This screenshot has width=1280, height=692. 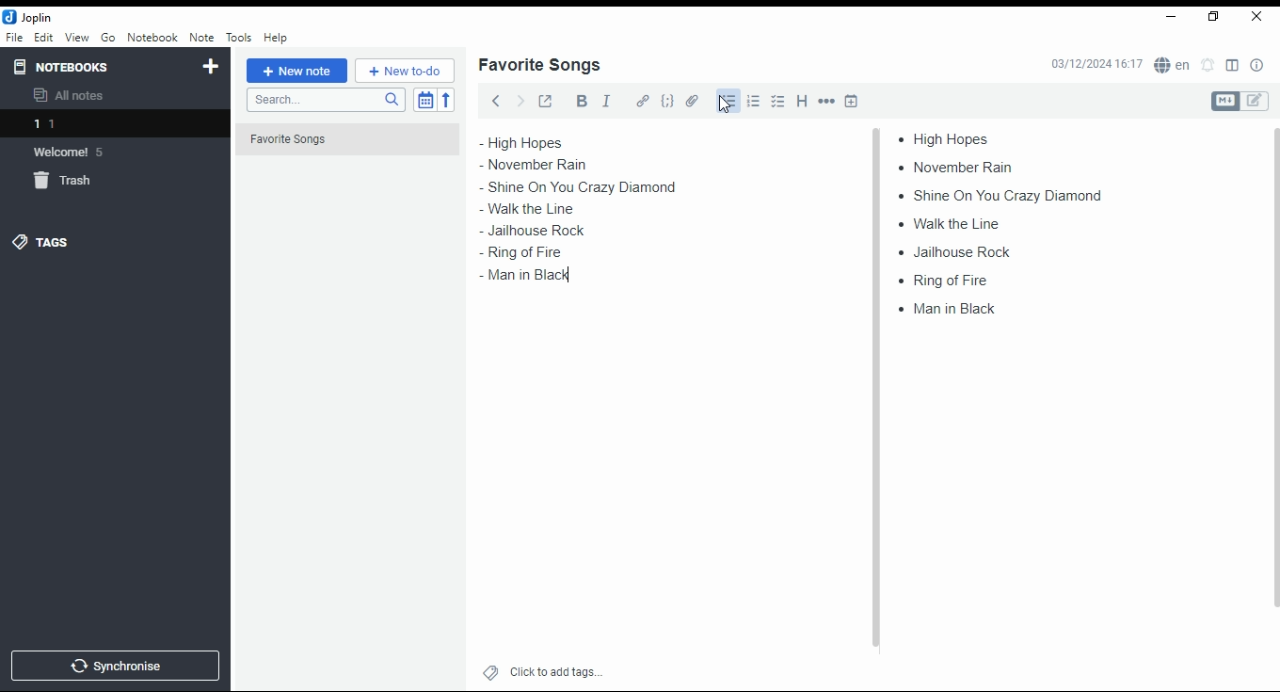 I want to click on shine on you crazy diamond, so click(x=584, y=187).